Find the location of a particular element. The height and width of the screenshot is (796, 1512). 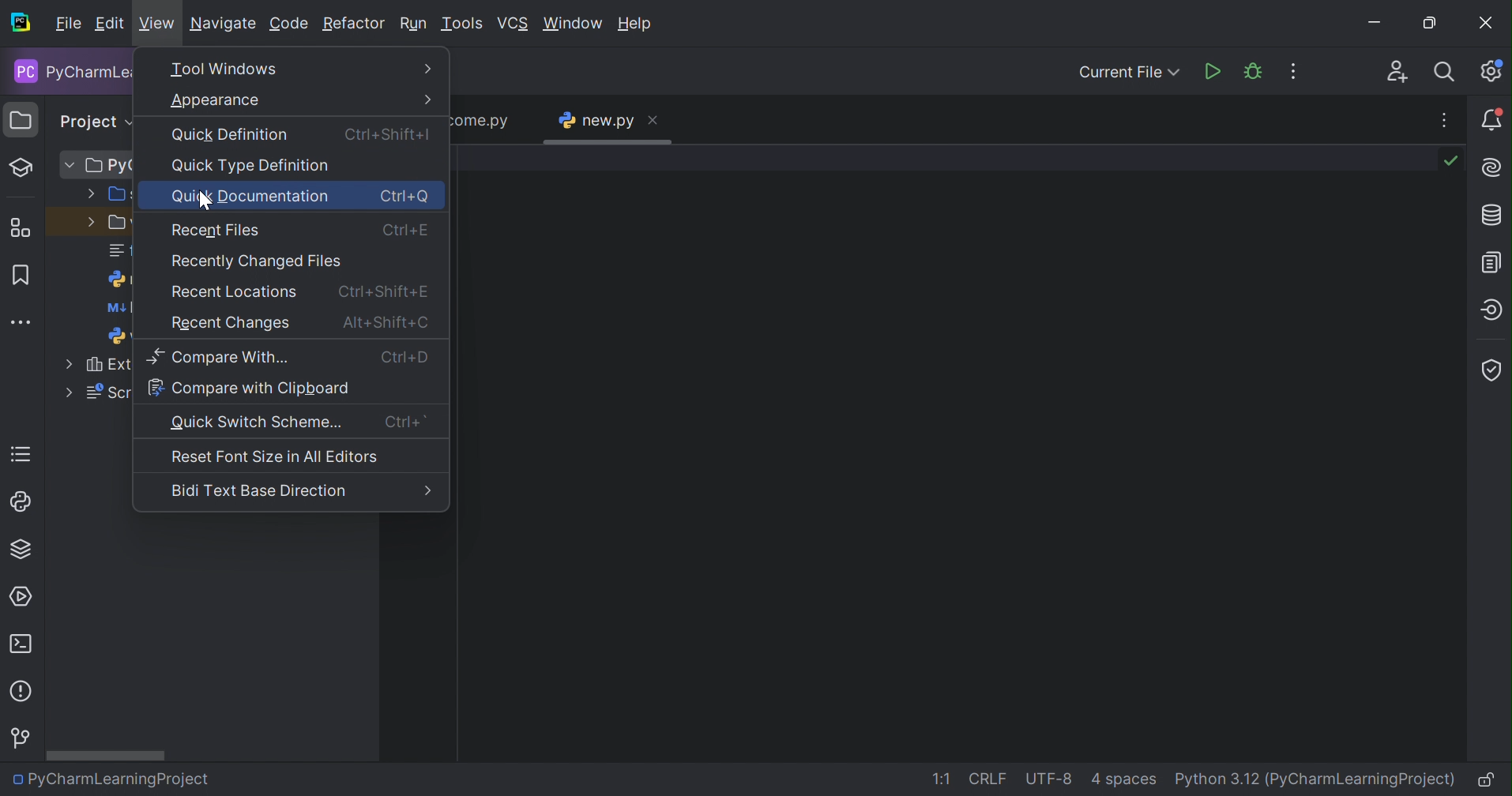

src is located at coordinates (105, 194).